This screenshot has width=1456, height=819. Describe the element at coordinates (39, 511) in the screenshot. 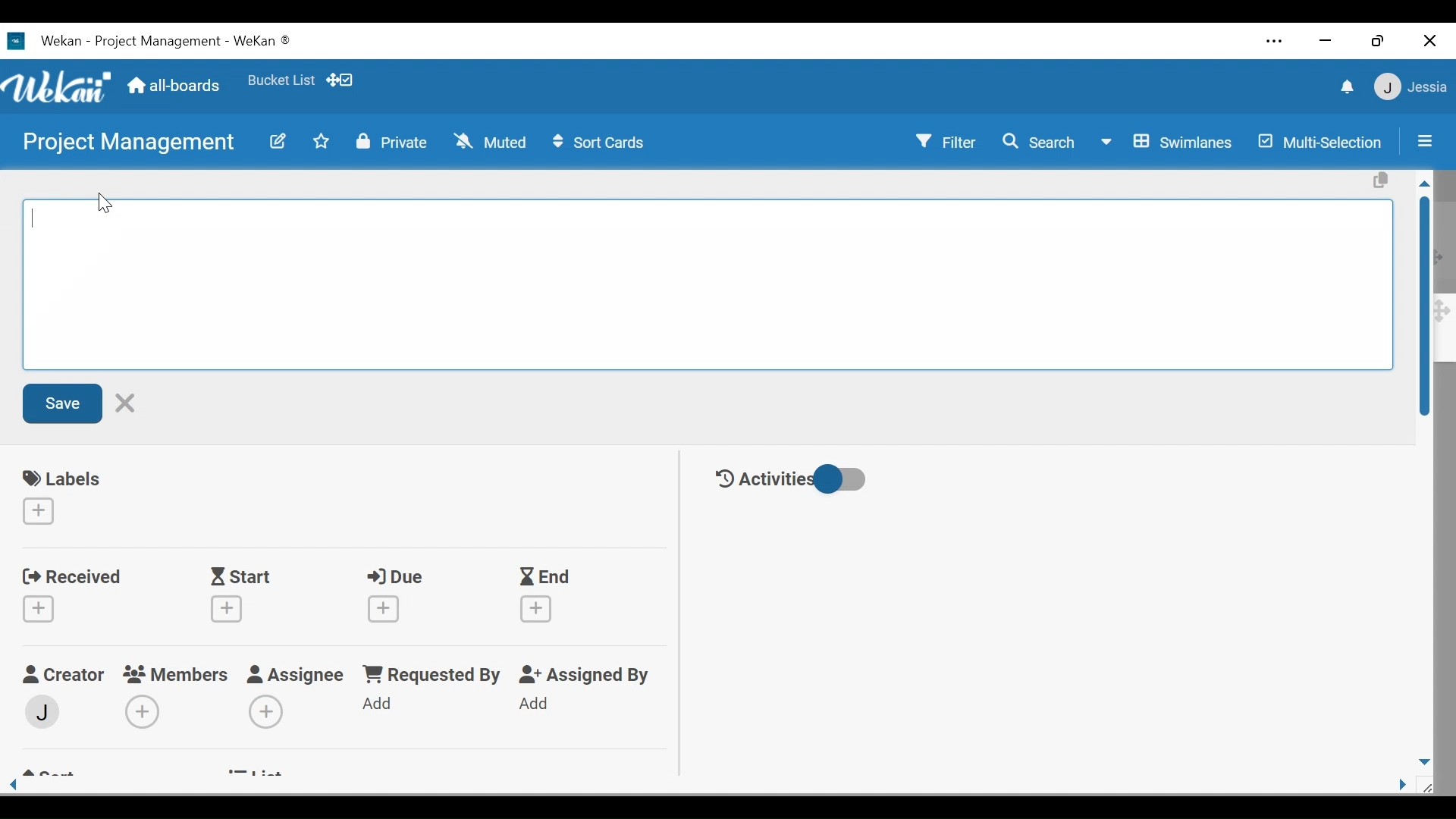

I see `Create labels` at that location.